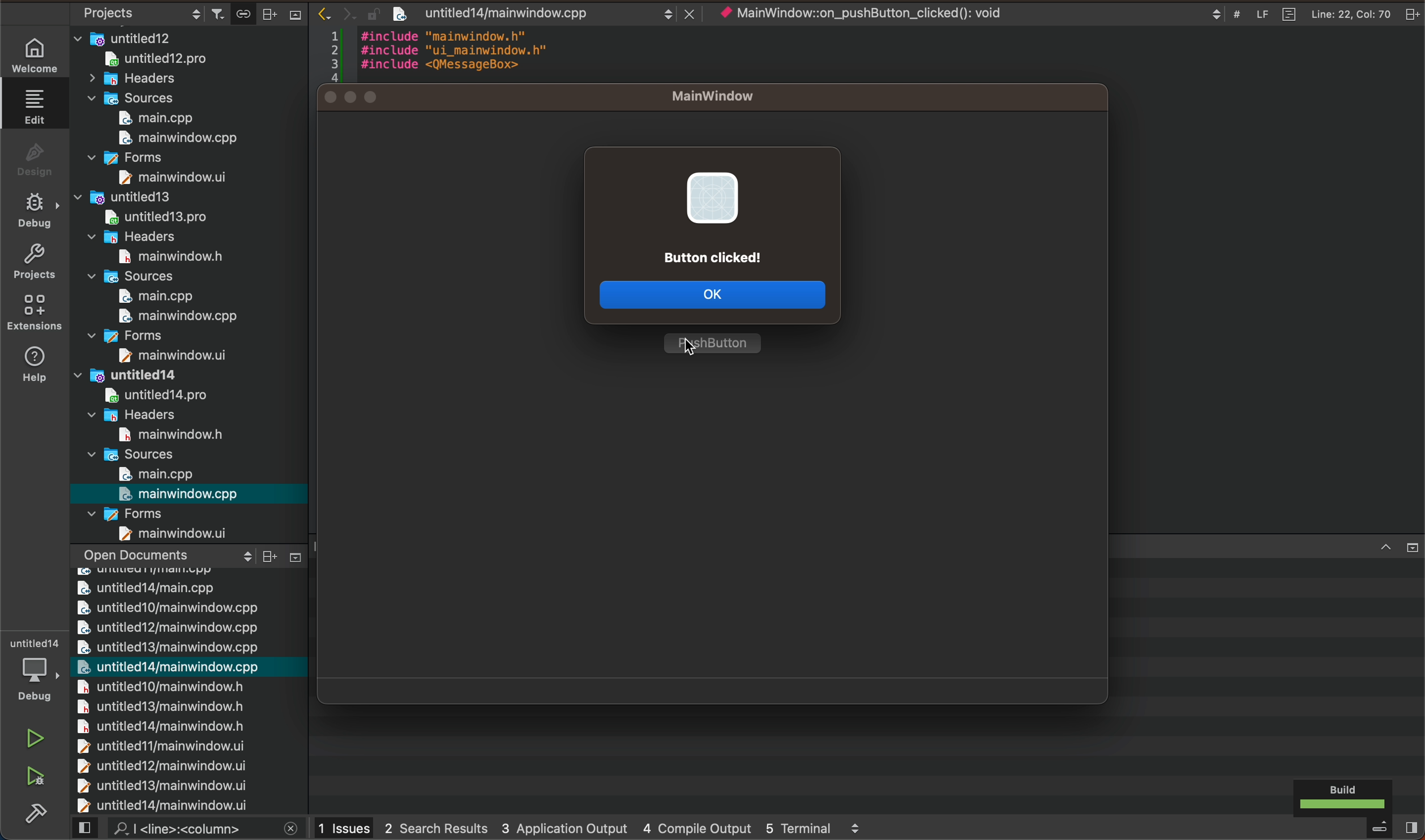 The height and width of the screenshot is (840, 1425). What do you see at coordinates (132, 414) in the screenshot?
I see `headers` at bounding box center [132, 414].